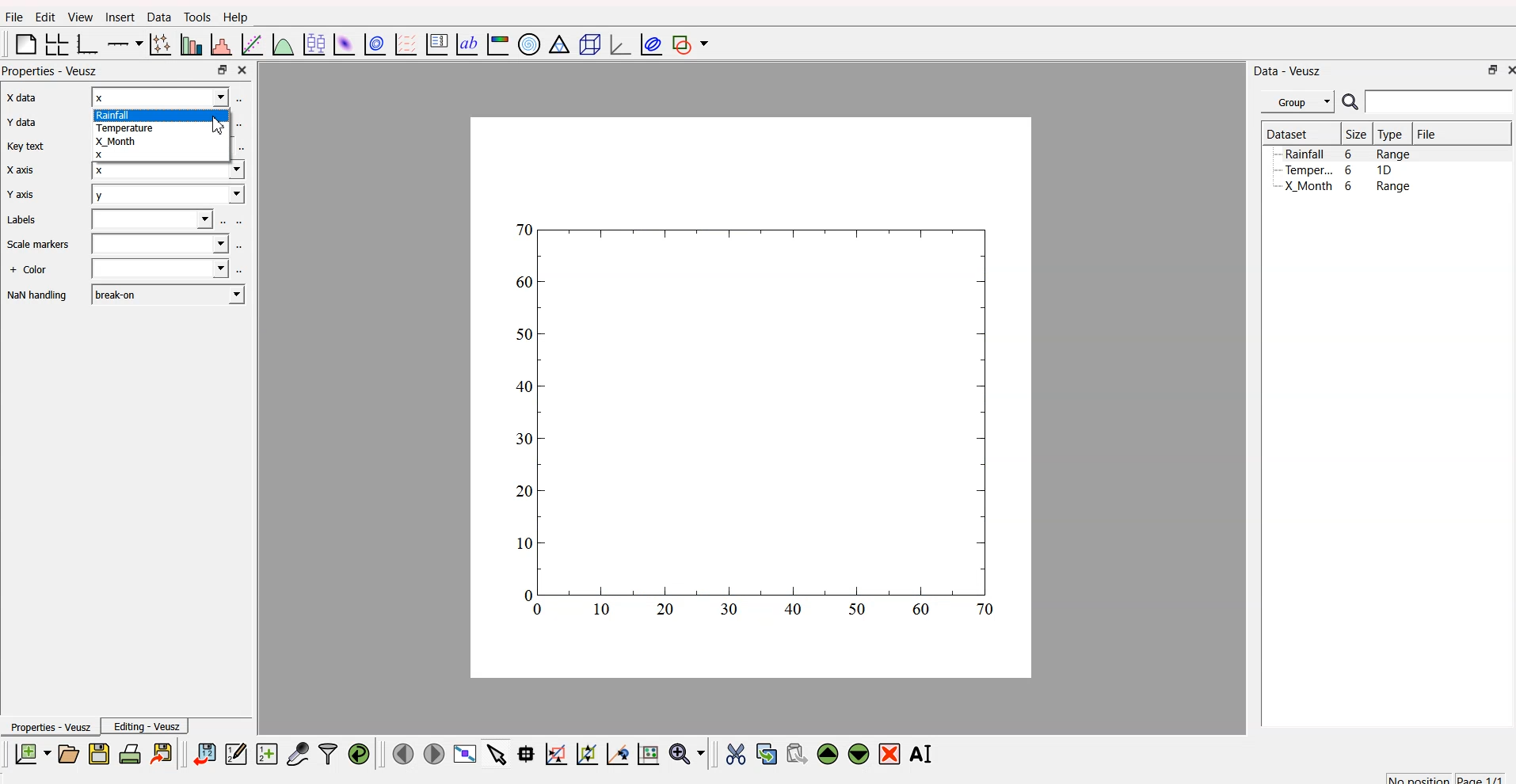  What do you see at coordinates (1391, 135) in the screenshot?
I see `Type` at bounding box center [1391, 135].